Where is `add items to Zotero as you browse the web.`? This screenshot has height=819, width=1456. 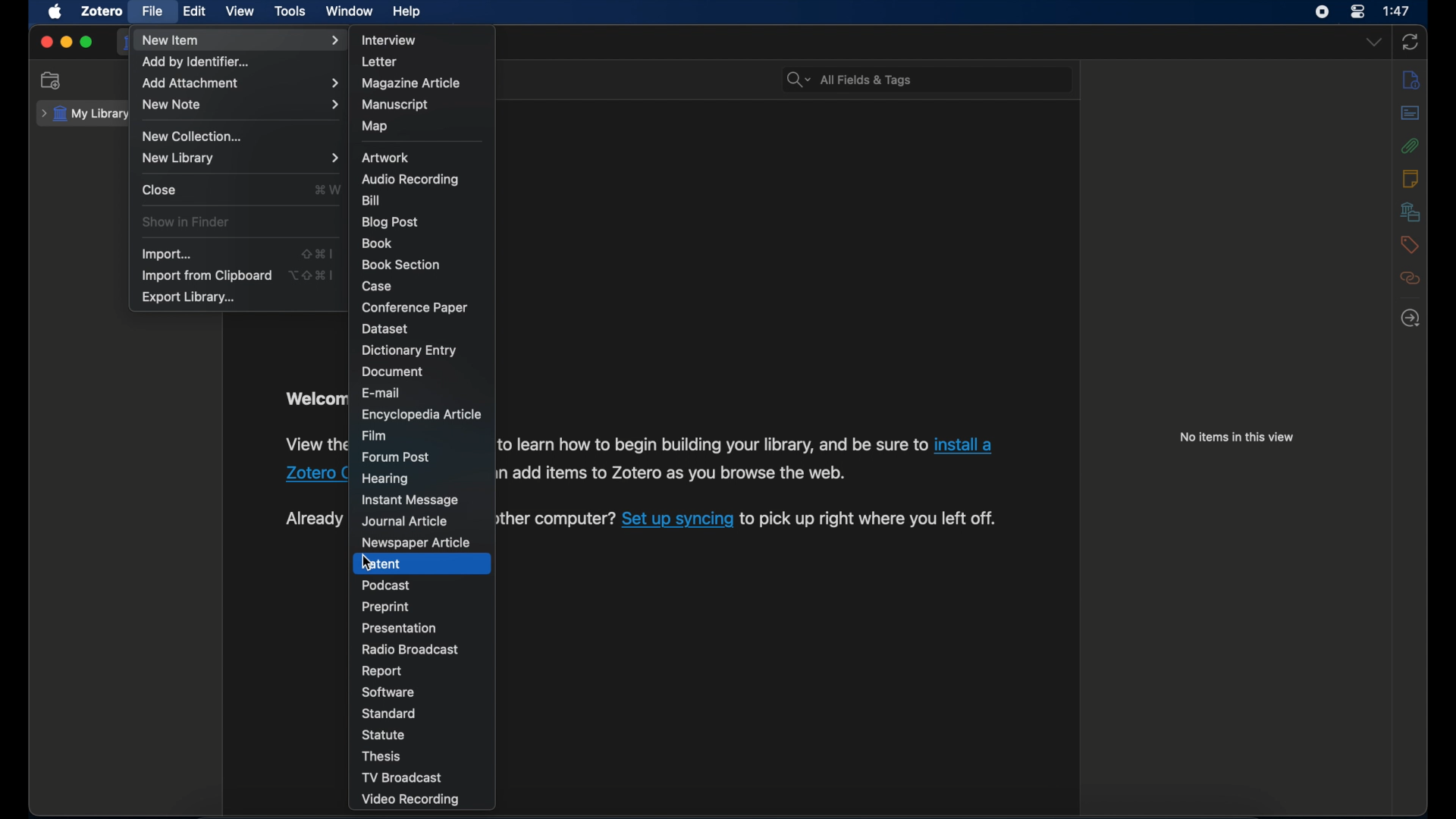
add items to Zotero as you browse the web. is located at coordinates (673, 475).